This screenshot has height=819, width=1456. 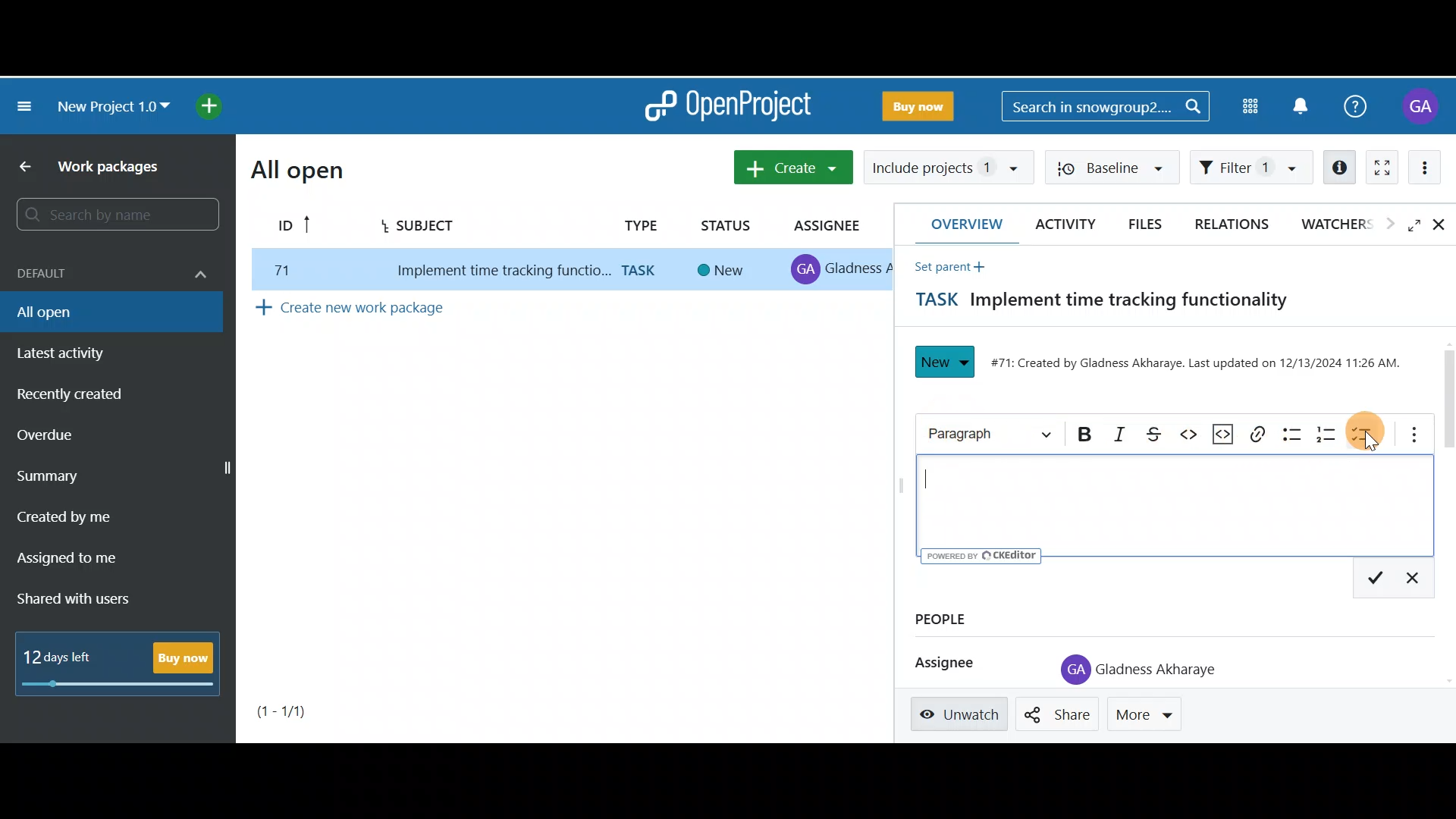 What do you see at coordinates (85, 511) in the screenshot?
I see `Created by me` at bounding box center [85, 511].